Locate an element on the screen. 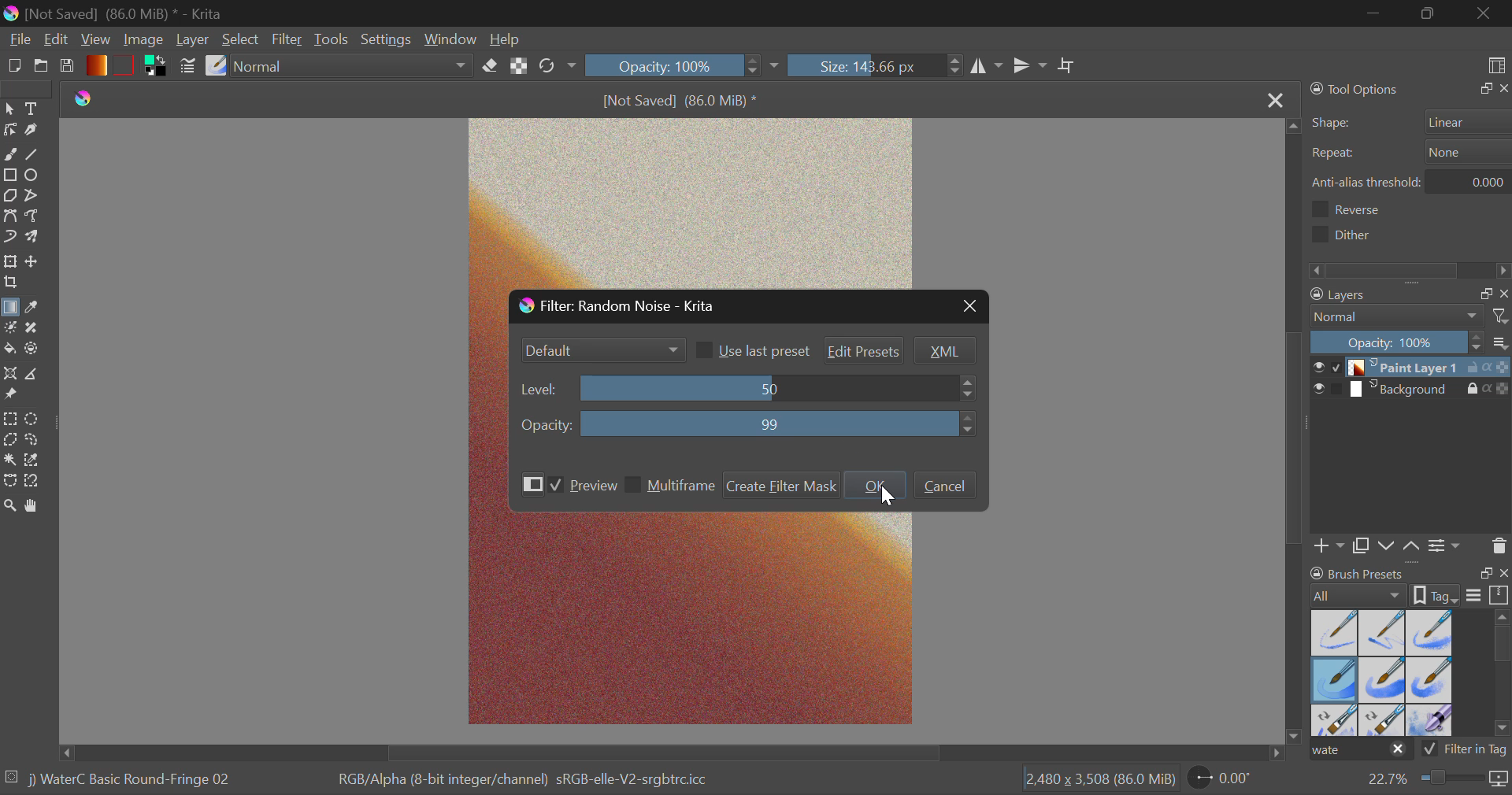 This screenshot has height=795, width=1512. filter is located at coordinates (1503, 316).